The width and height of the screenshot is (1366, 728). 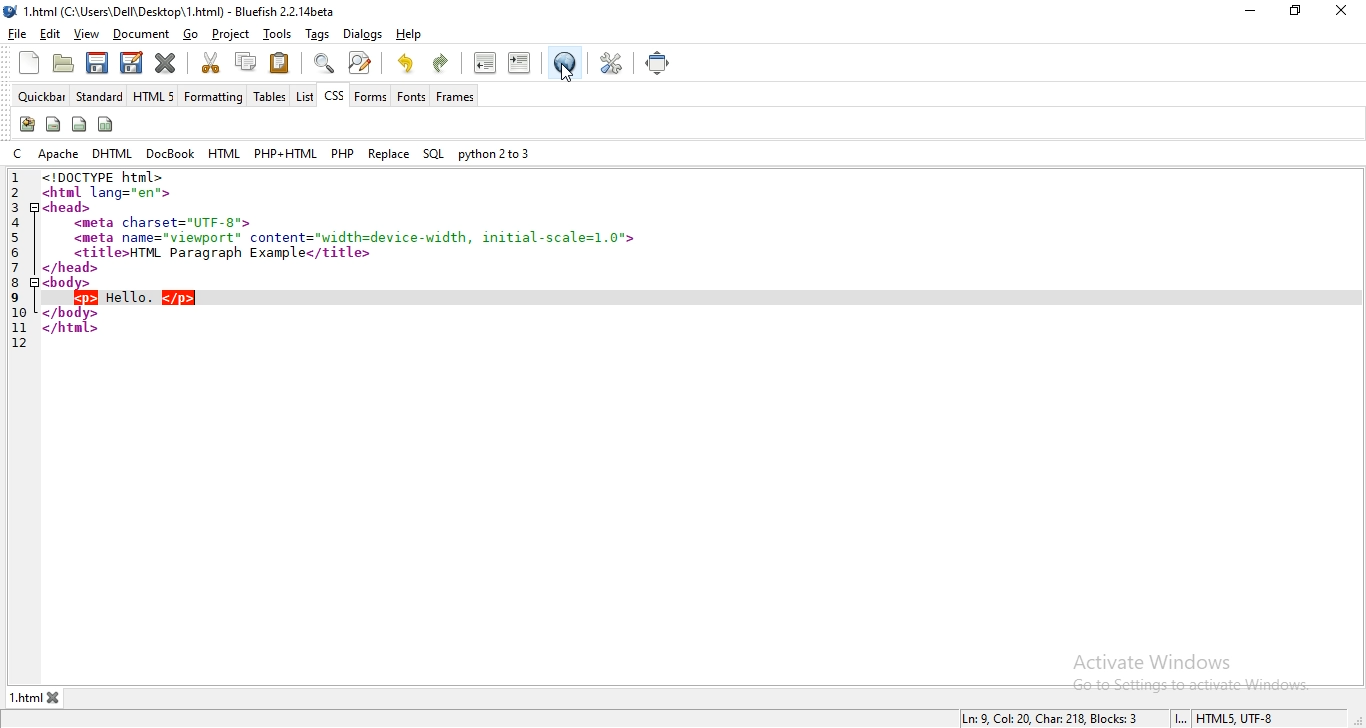 I want to click on <html lang="en">, so click(x=110, y=192).